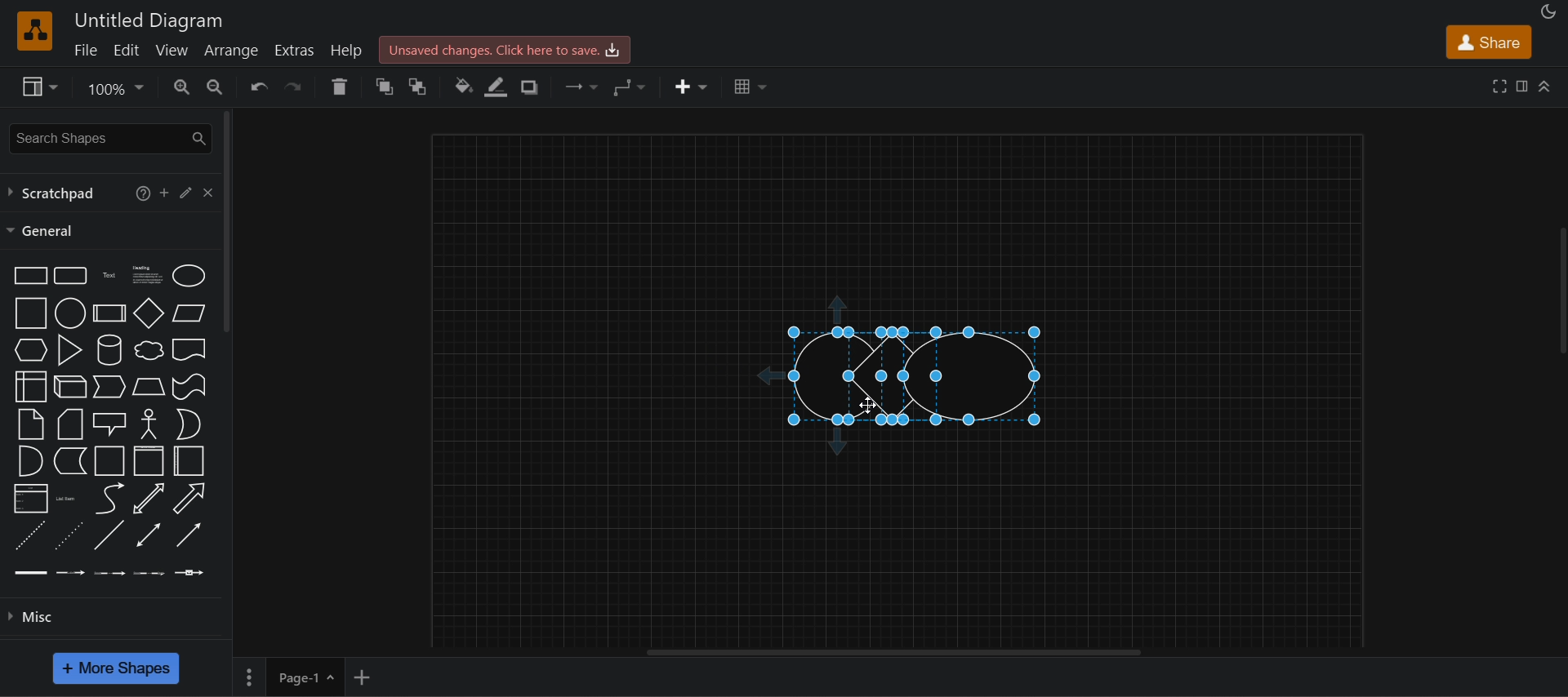 The width and height of the screenshot is (1568, 697). Describe the element at coordinates (230, 49) in the screenshot. I see `arrangw` at that location.